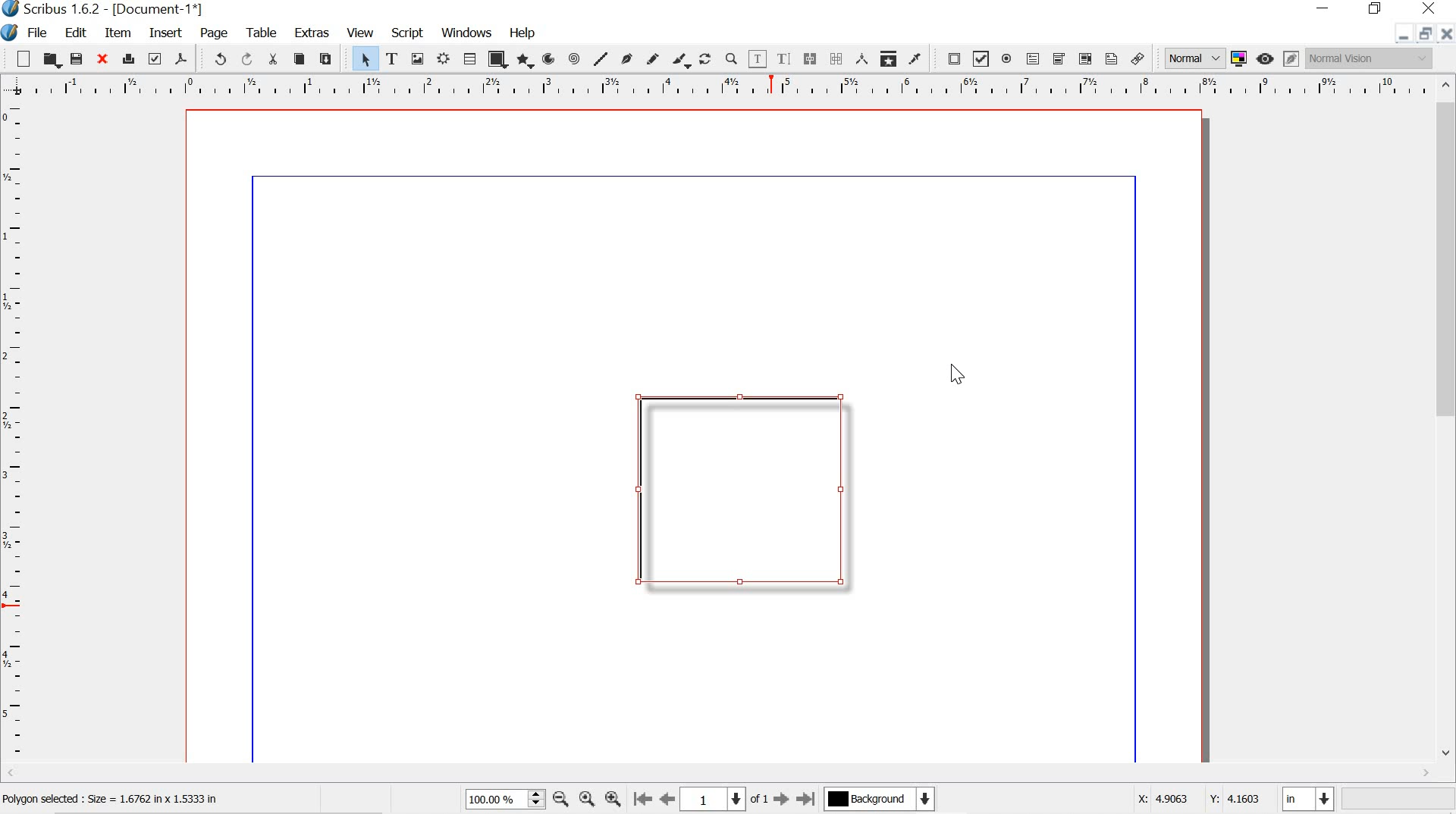  What do you see at coordinates (786, 58) in the screenshot?
I see `edit text with story editor` at bounding box center [786, 58].